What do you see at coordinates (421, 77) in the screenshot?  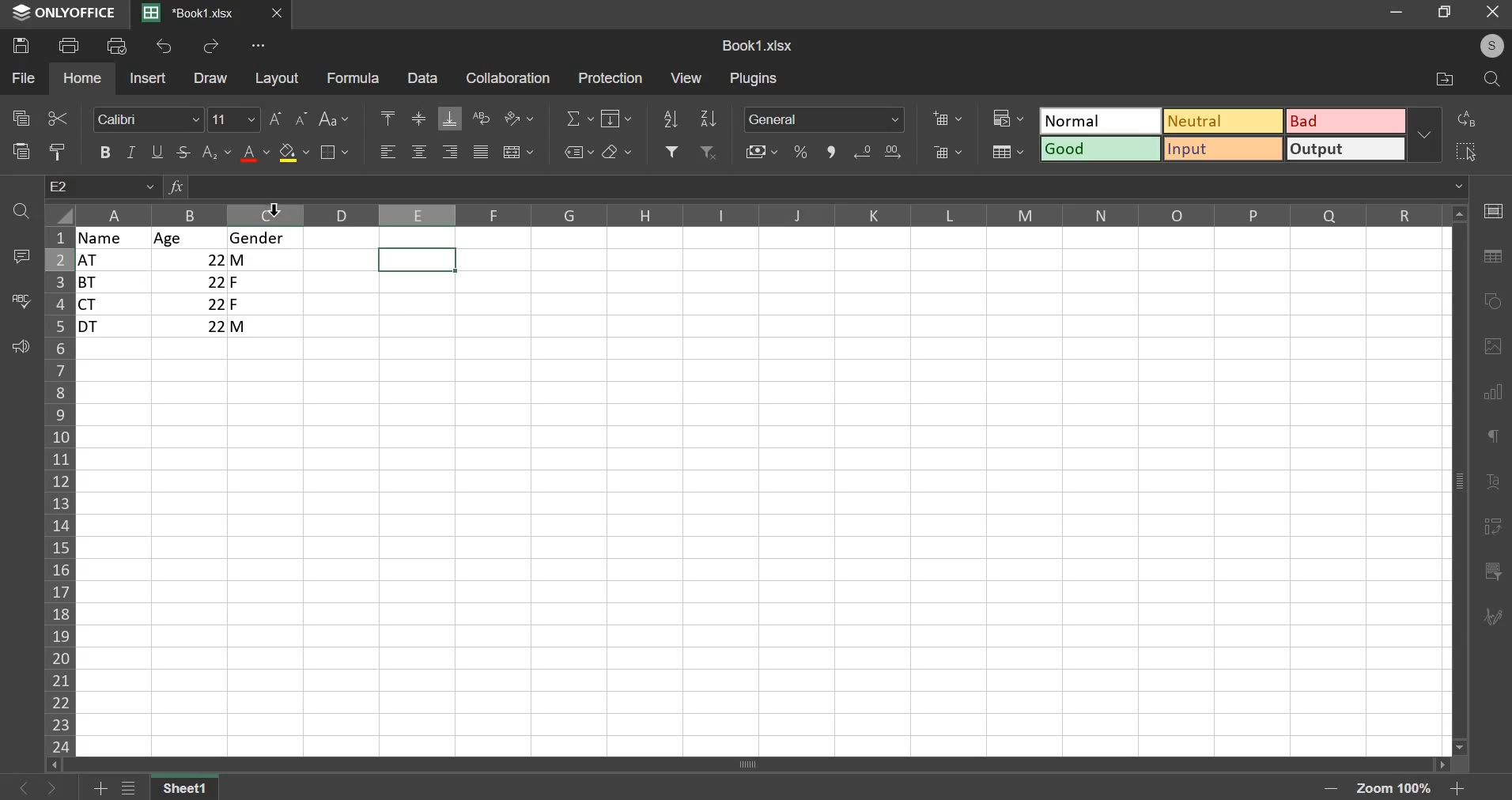 I see `data` at bounding box center [421, 77].